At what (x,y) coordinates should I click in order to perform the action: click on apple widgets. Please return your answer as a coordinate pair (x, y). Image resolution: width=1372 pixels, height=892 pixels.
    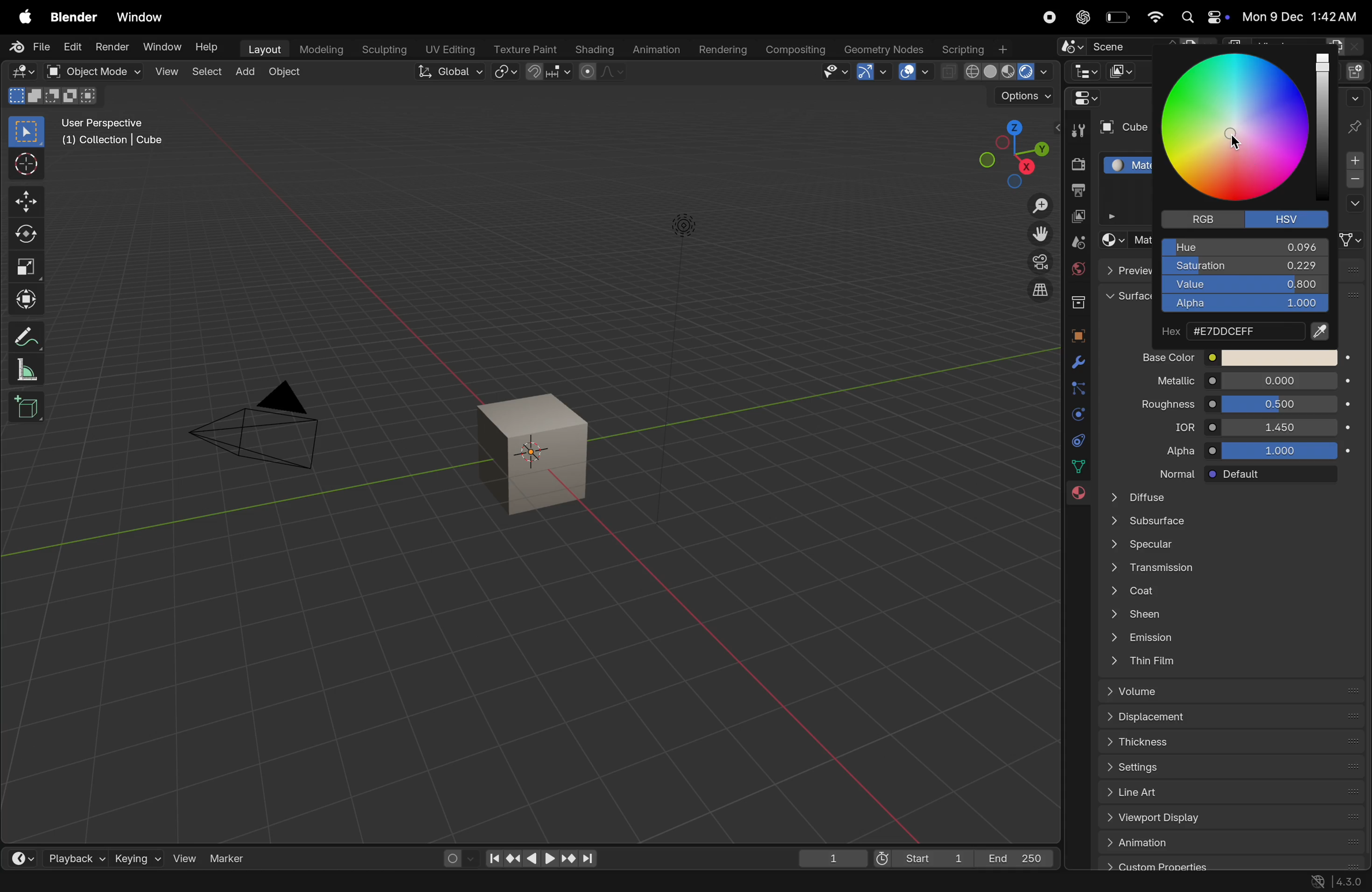
    Looking at the image, I should click on (1203, 17).